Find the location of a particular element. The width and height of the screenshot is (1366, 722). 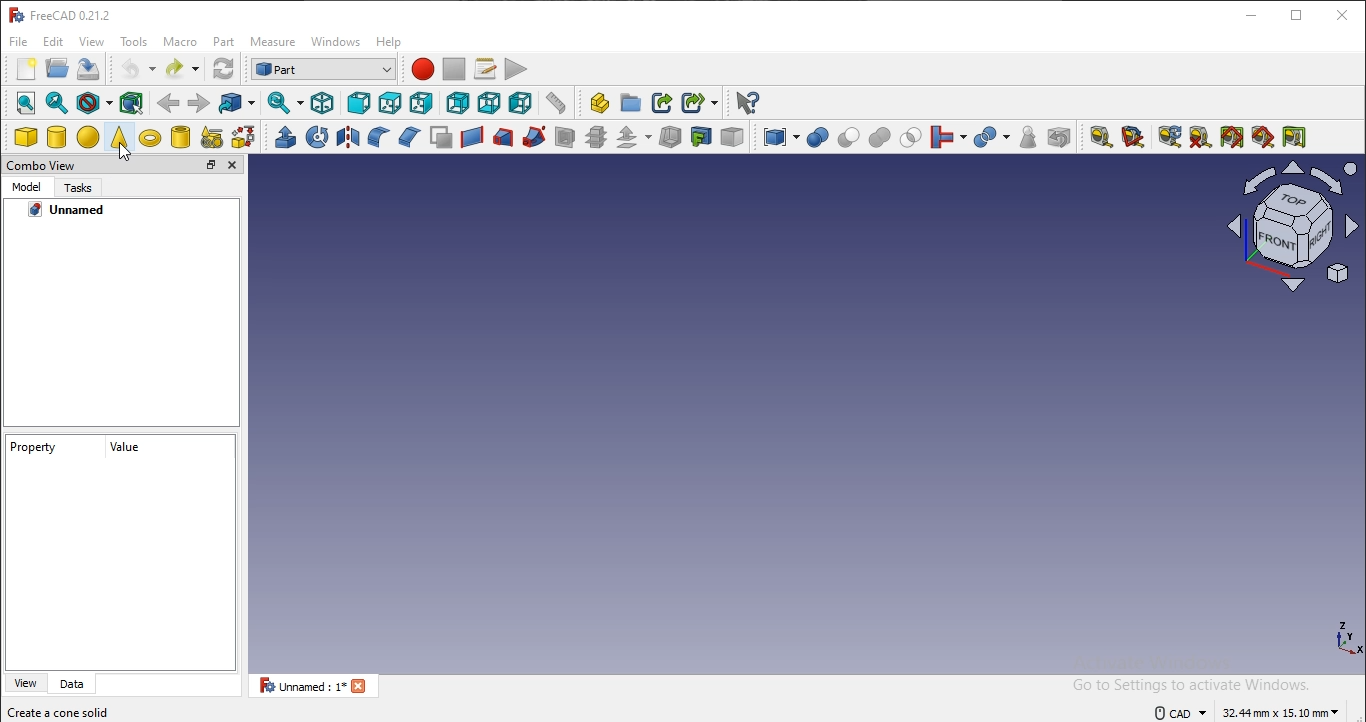

front is located at coordinates (357, 102).